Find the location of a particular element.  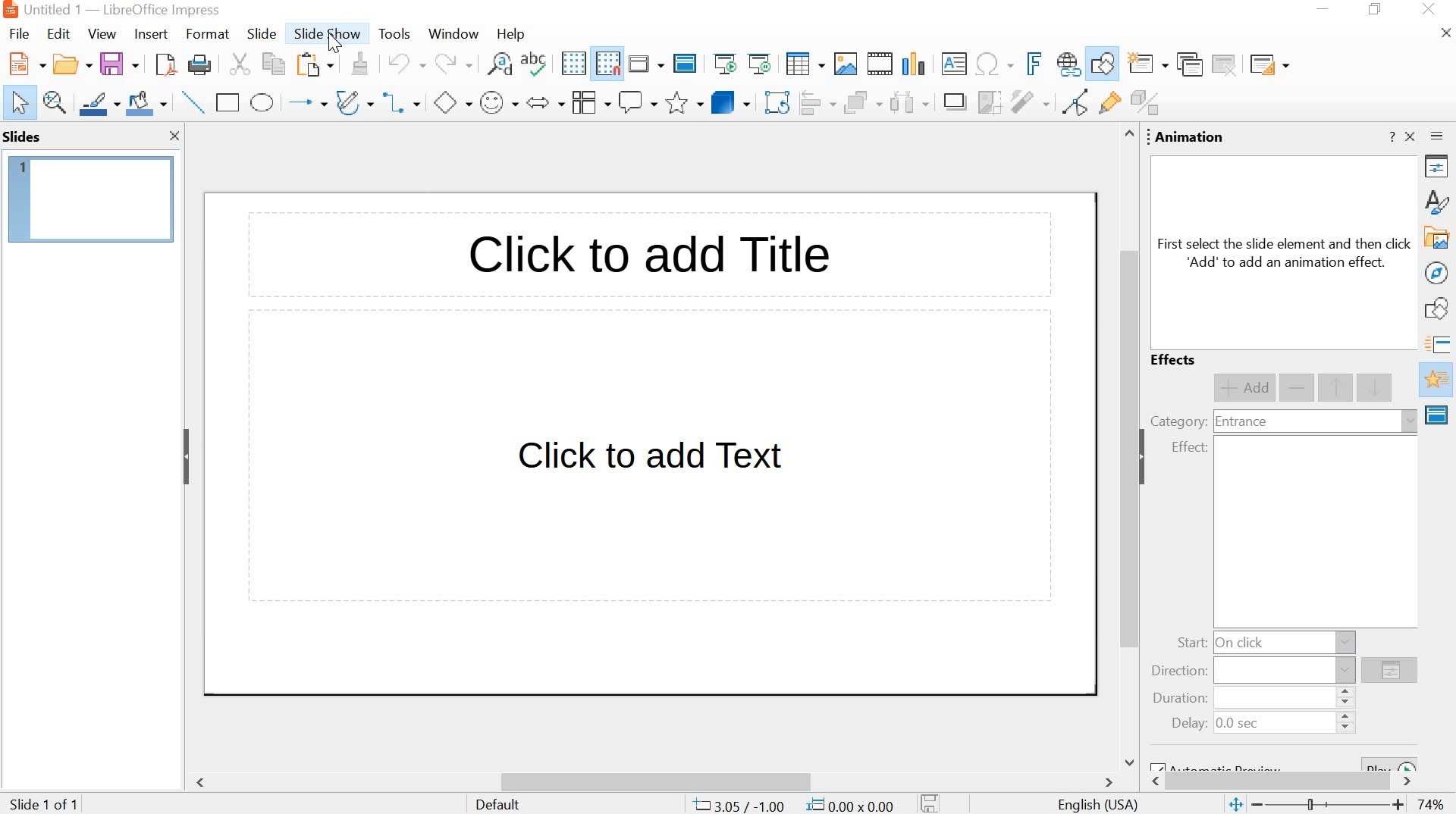

remove effect is located at coordinates (1298, 389).